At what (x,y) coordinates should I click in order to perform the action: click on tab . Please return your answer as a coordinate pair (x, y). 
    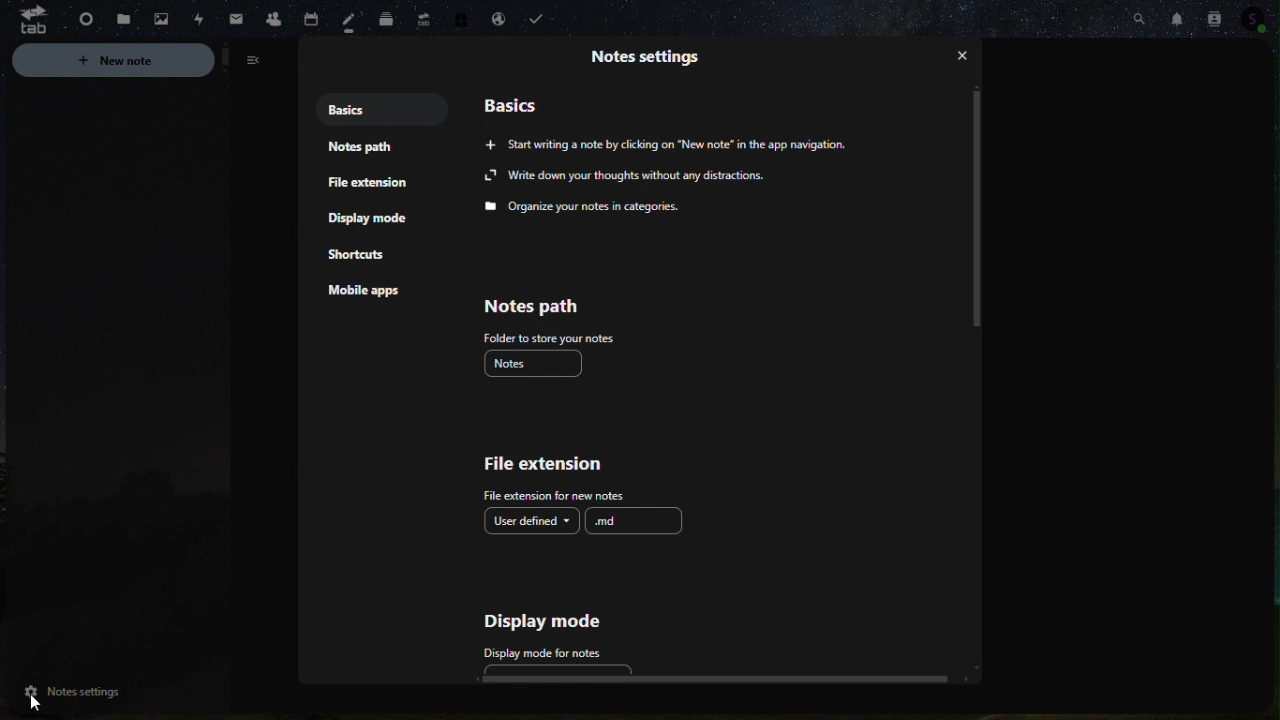
    Looking at the image, I should click on (26, 18).